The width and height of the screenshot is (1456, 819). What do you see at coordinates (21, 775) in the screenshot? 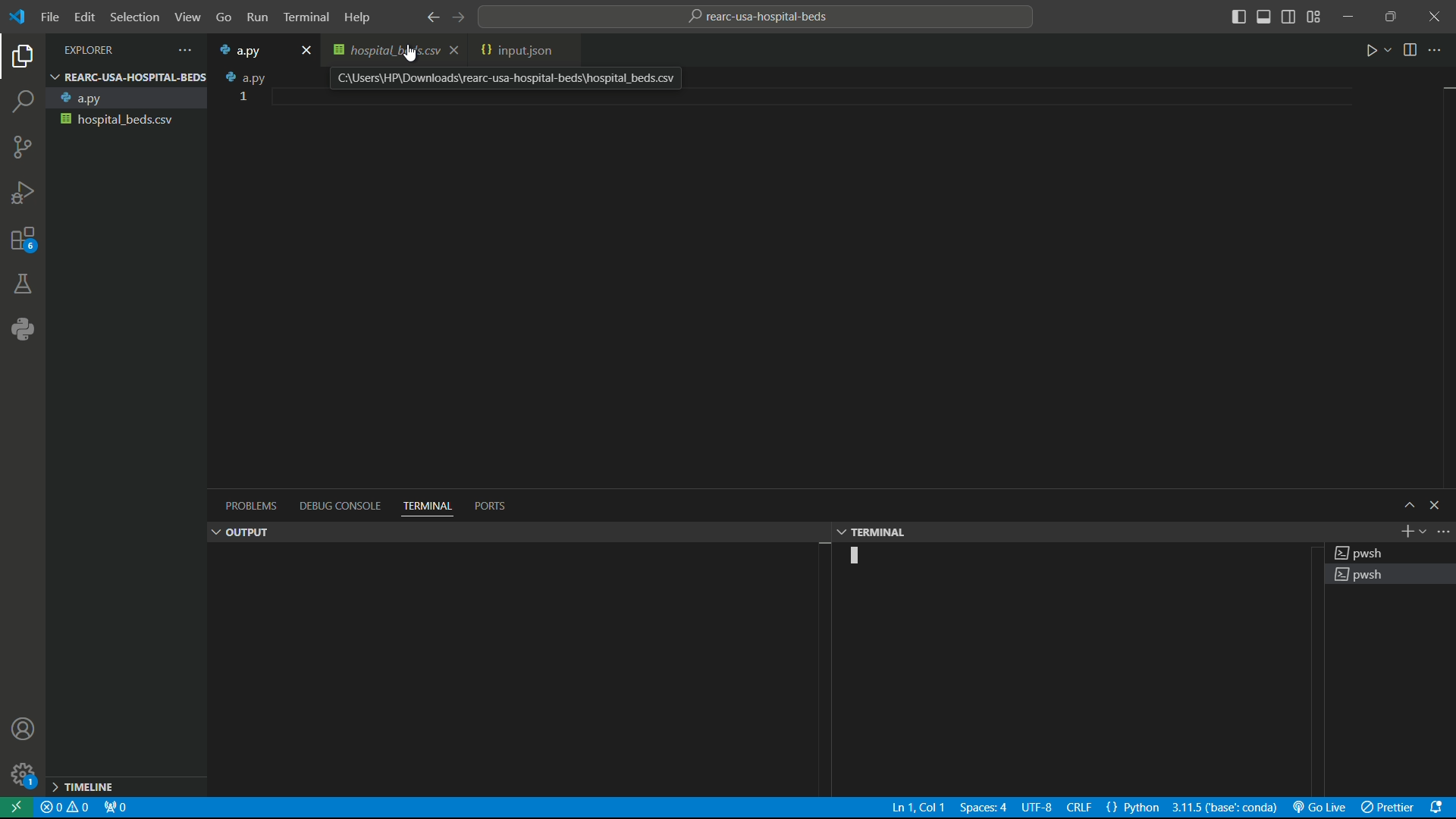
I see `setting` at bounding box center [21, 775].